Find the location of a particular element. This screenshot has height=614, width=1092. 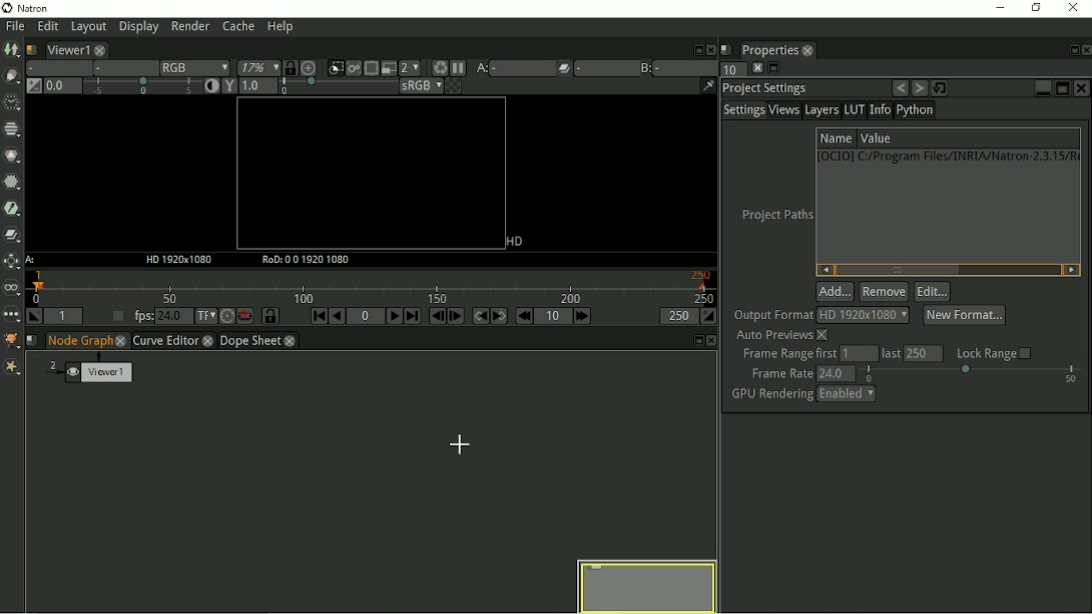

Info is located at coordinates (879, 111).